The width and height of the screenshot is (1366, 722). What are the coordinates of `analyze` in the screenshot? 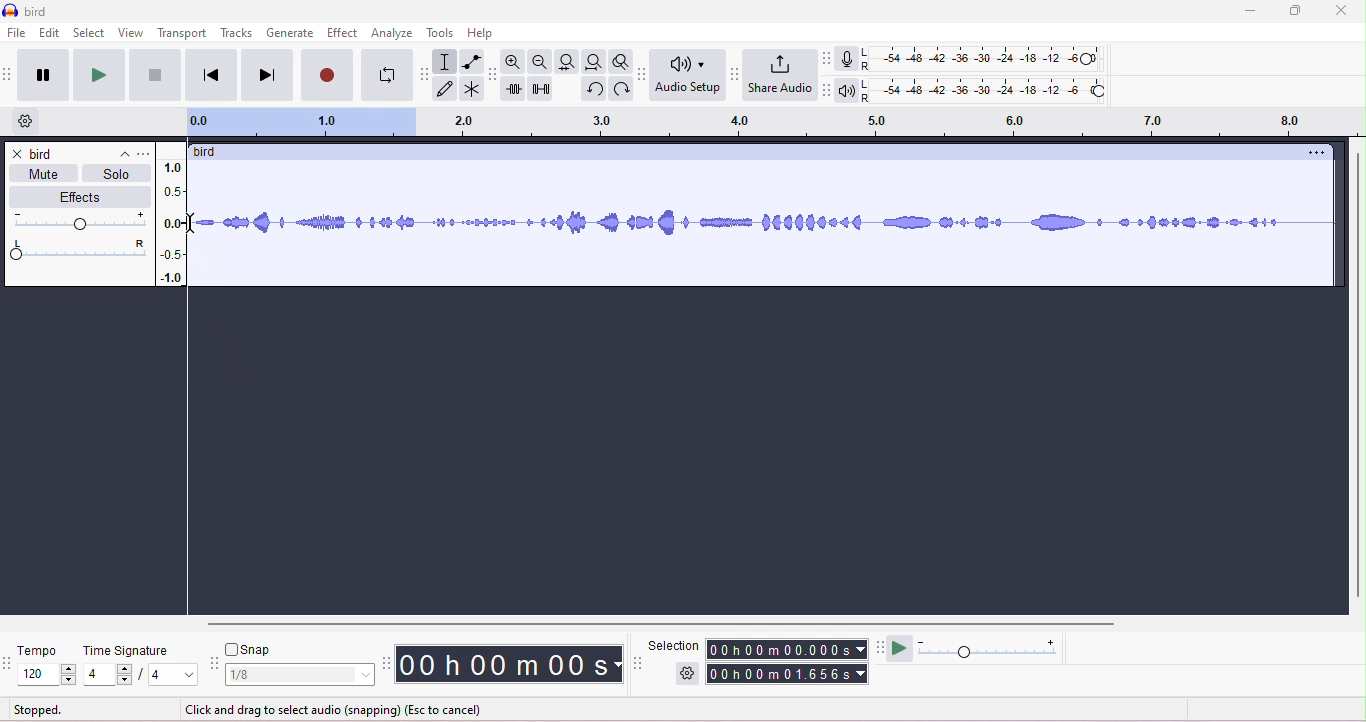 It's located at (392, 34).